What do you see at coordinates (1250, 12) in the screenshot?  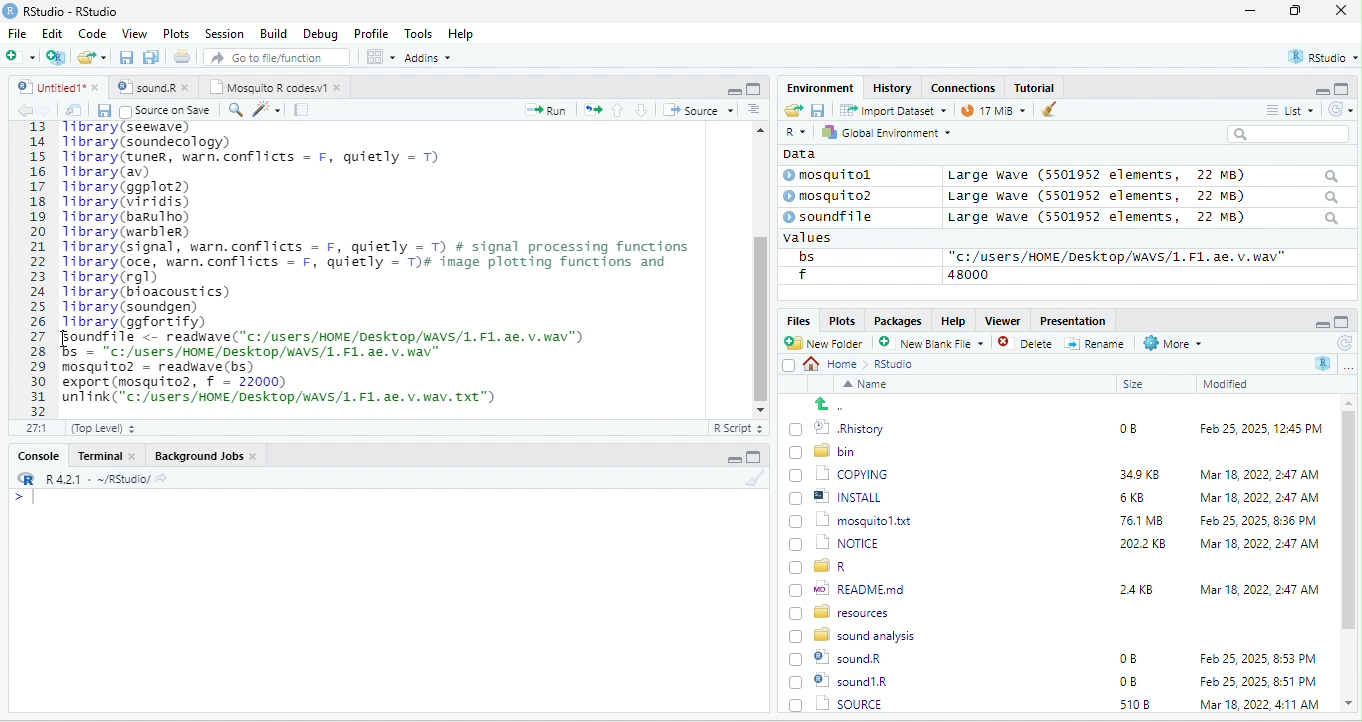 I see `minimize` at bounding box center [1250, 12].